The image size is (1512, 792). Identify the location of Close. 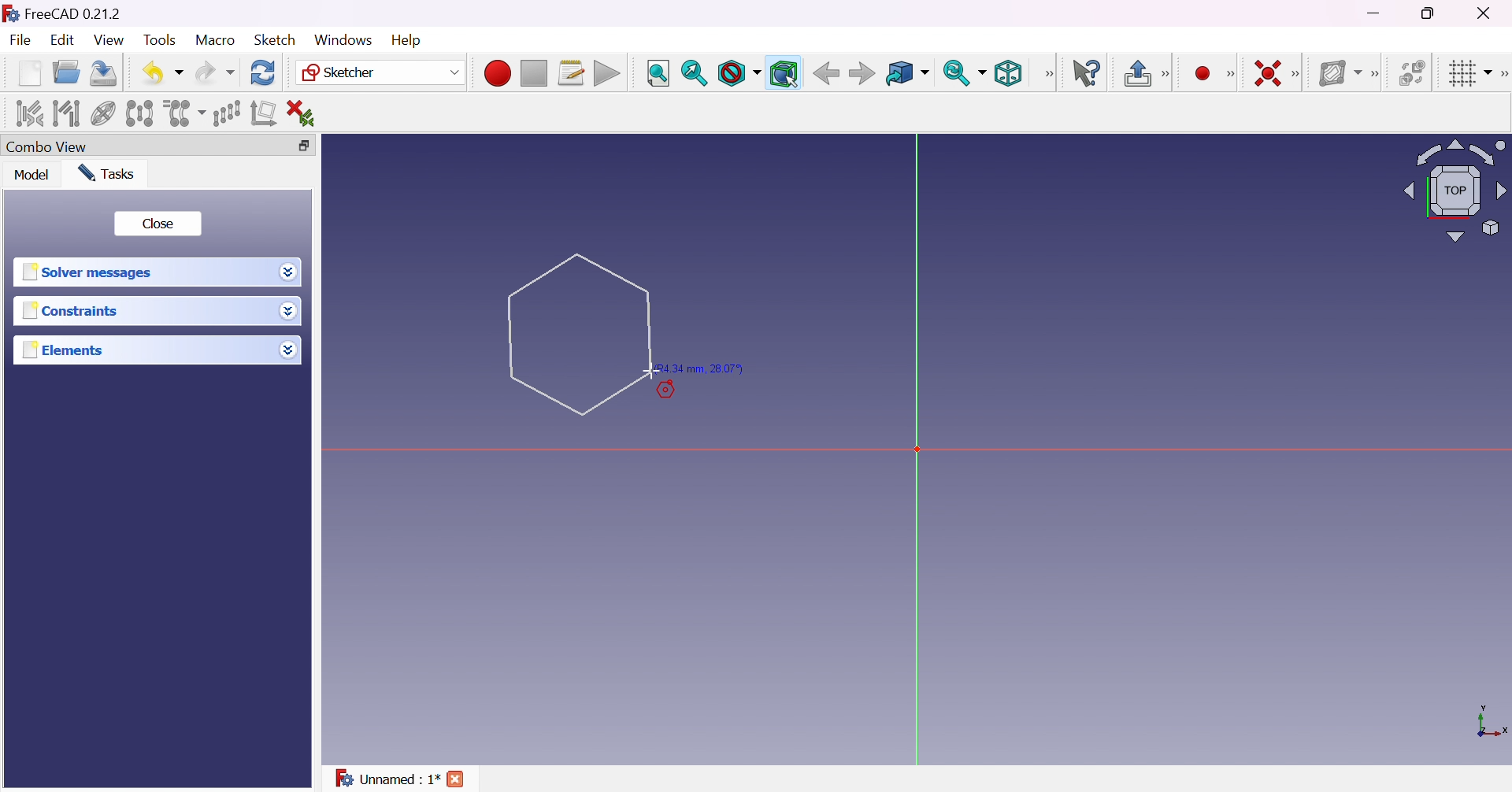
(157, 224).